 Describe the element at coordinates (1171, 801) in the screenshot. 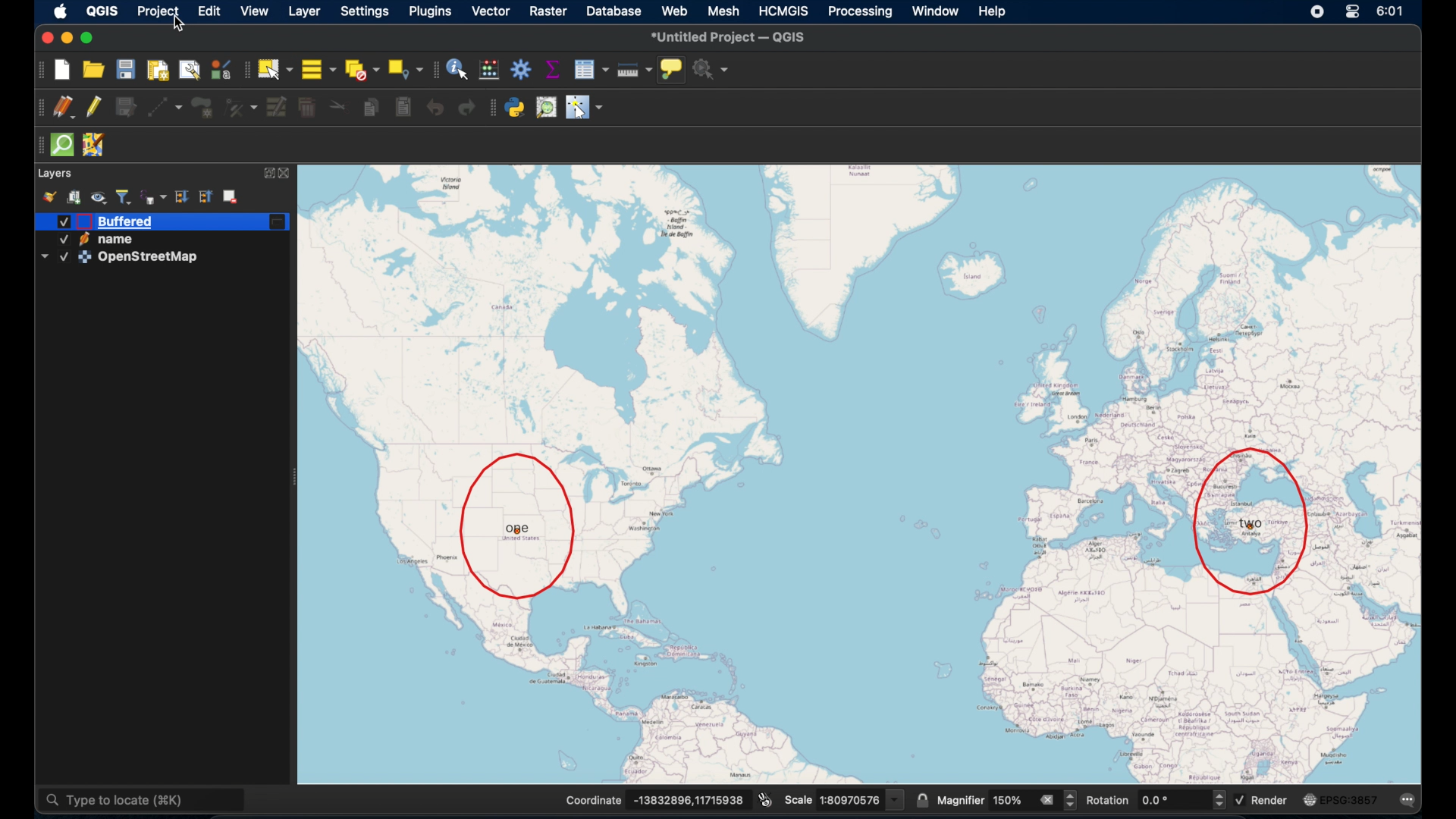

I see `rotation input value` at that location.